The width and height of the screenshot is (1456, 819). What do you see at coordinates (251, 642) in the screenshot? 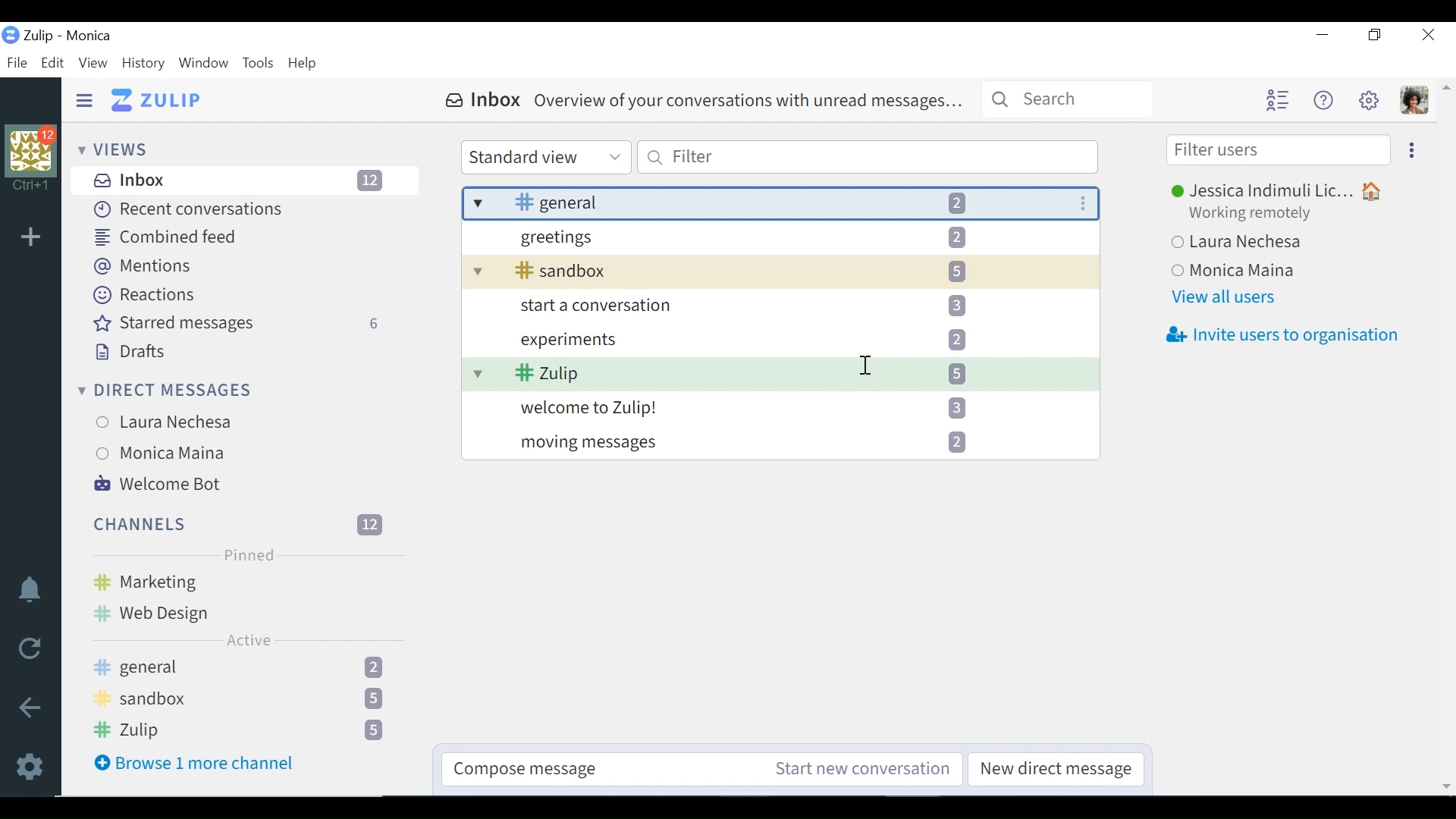
I see `Active` at bounding box center [251, 642].